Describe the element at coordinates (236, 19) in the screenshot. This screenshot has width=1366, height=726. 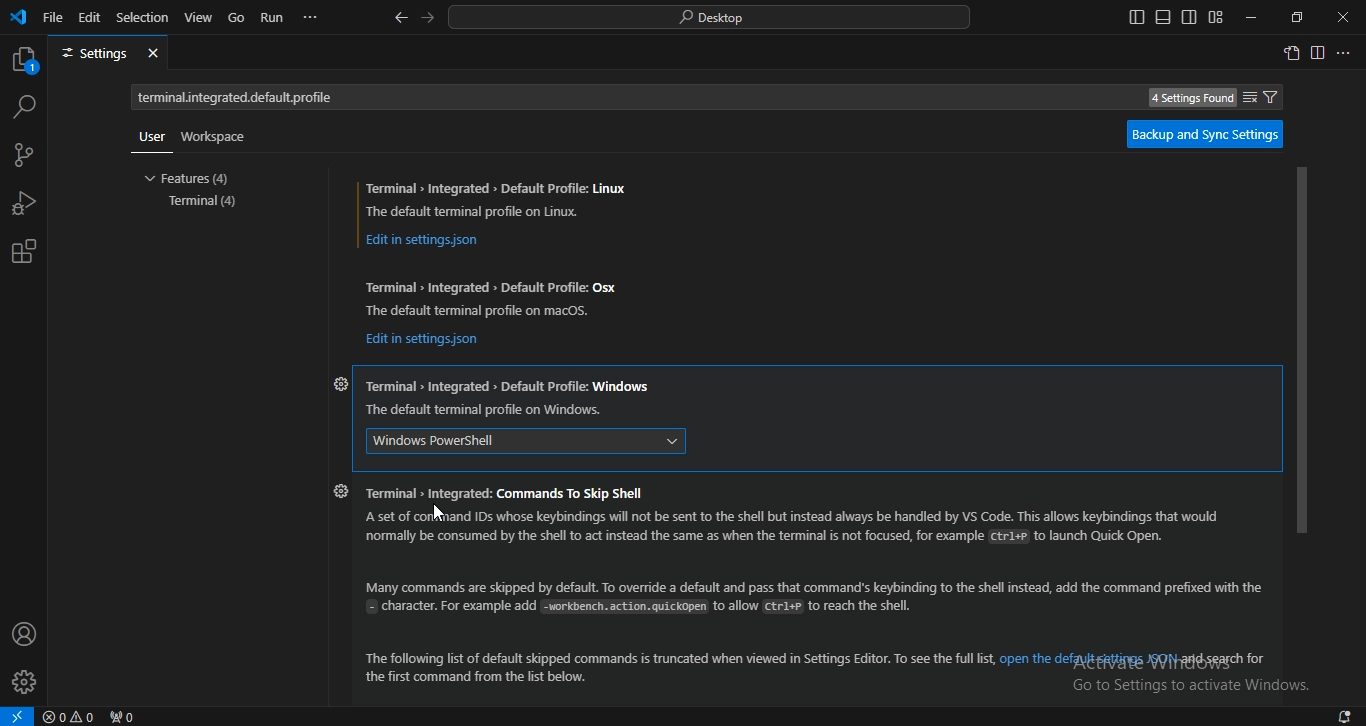
I see `go` at that location.